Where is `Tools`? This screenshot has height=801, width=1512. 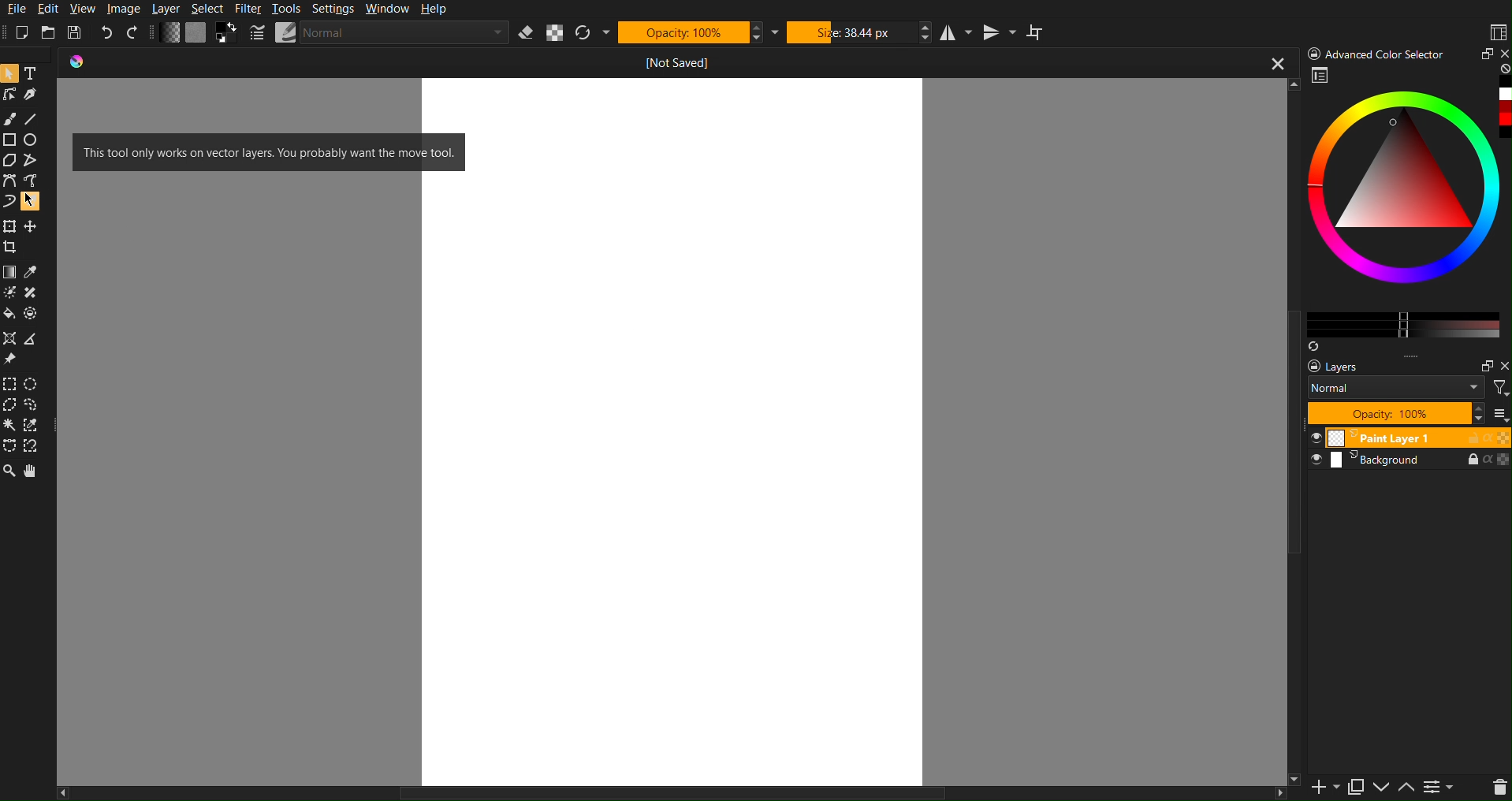
Tools is located at coordinates (290, 9).